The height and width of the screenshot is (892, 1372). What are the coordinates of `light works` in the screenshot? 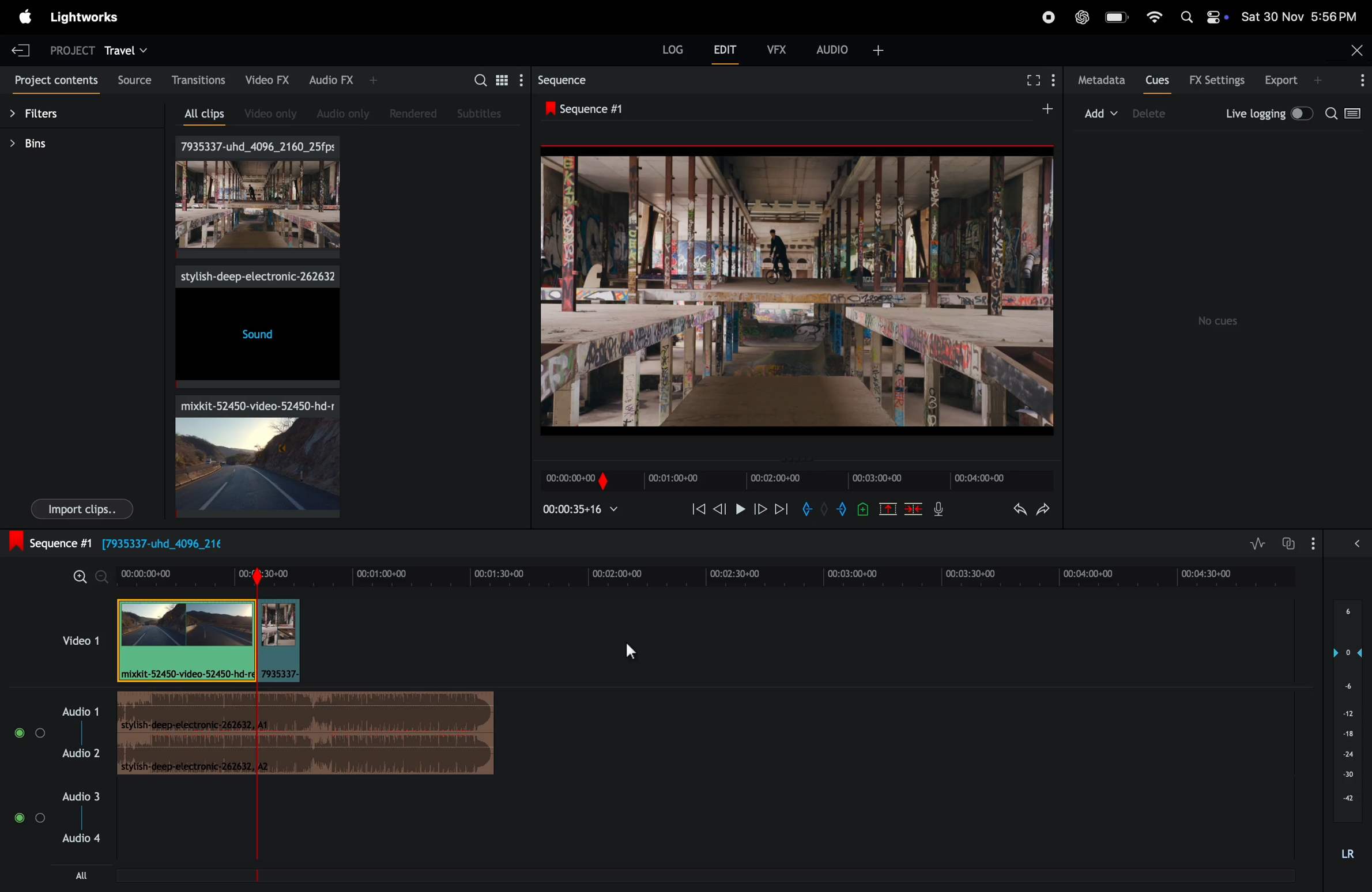 It's located at (88, 18).